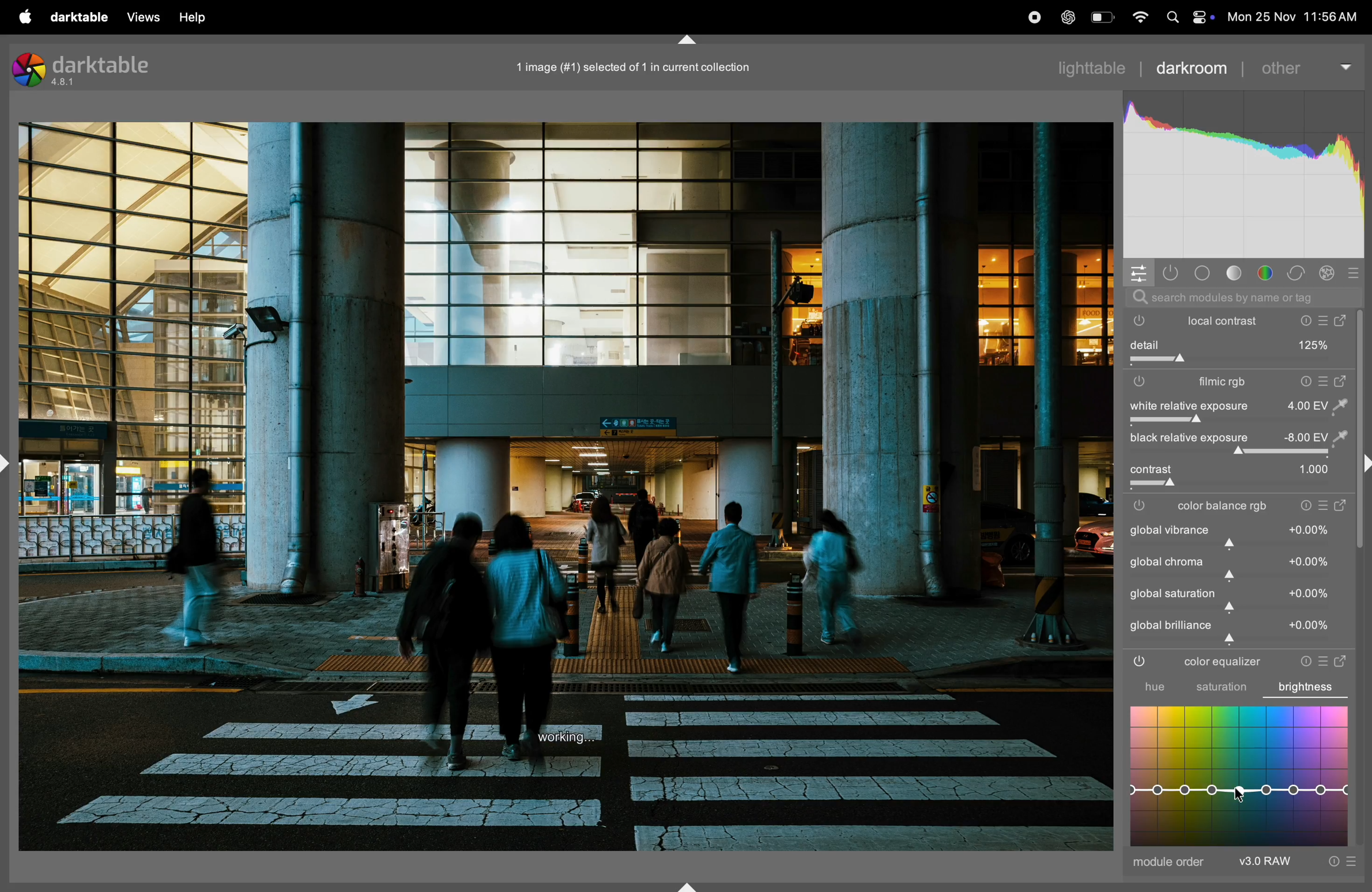 This screenshot has width=1372, height=892. Describe the element at coordinates (103, 63) in the screenshot. I see `darktable` at that location.